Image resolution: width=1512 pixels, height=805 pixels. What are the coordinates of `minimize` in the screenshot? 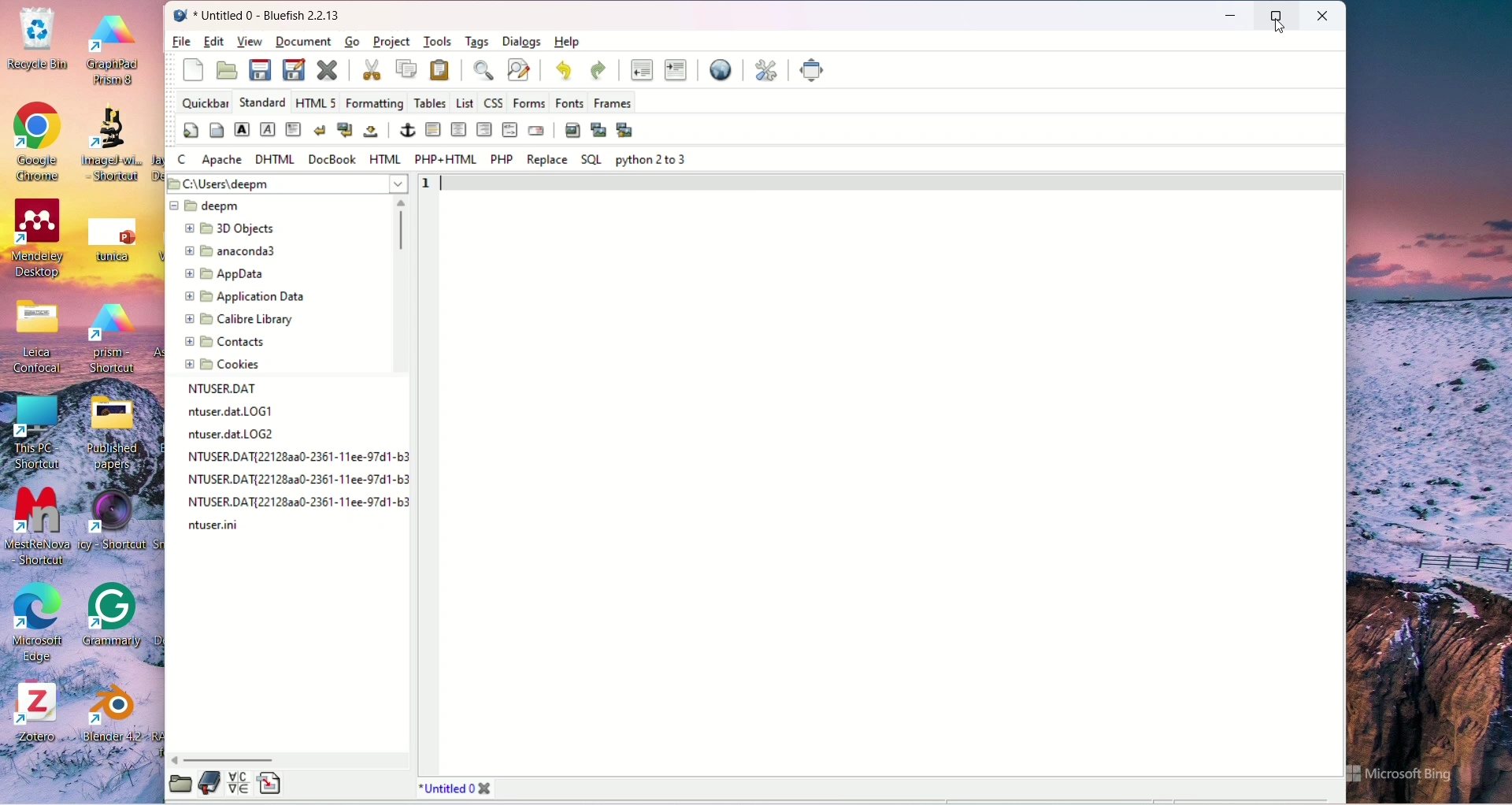 It's located at (1231, 17).